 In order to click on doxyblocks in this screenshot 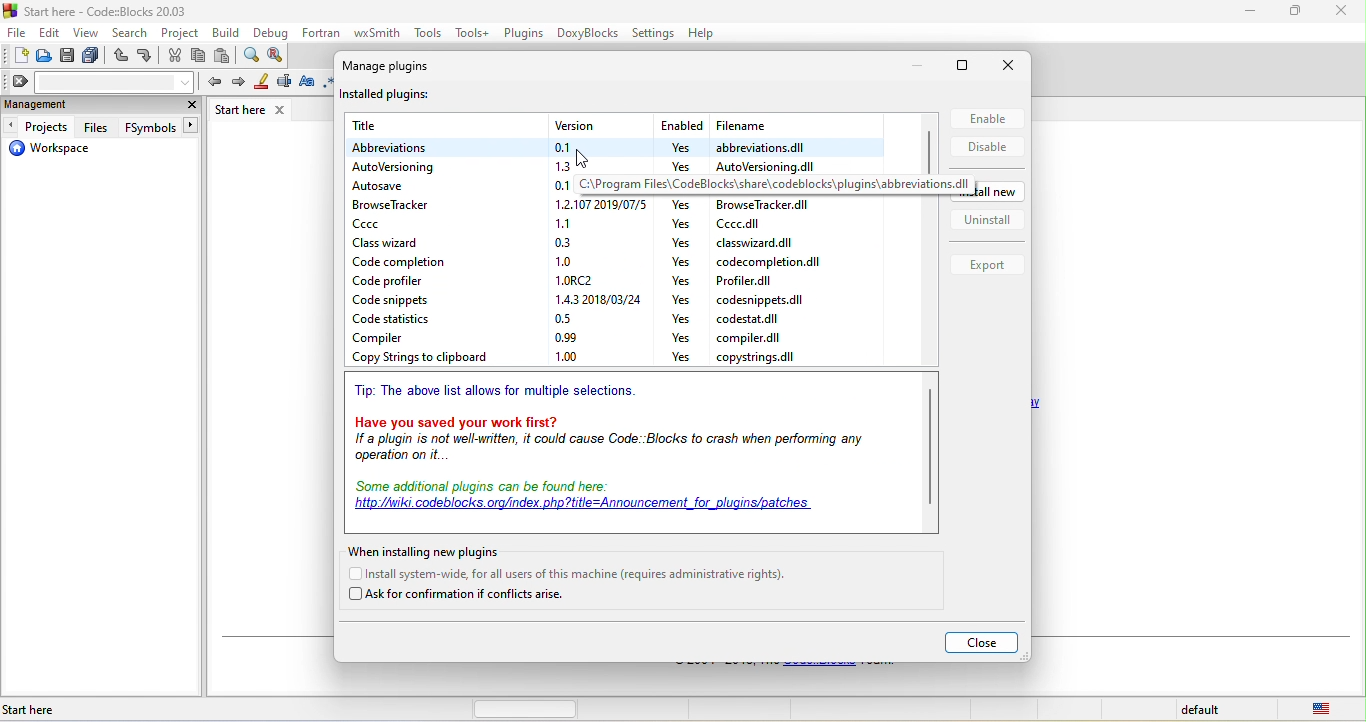, I will do `click(590, 33)`.